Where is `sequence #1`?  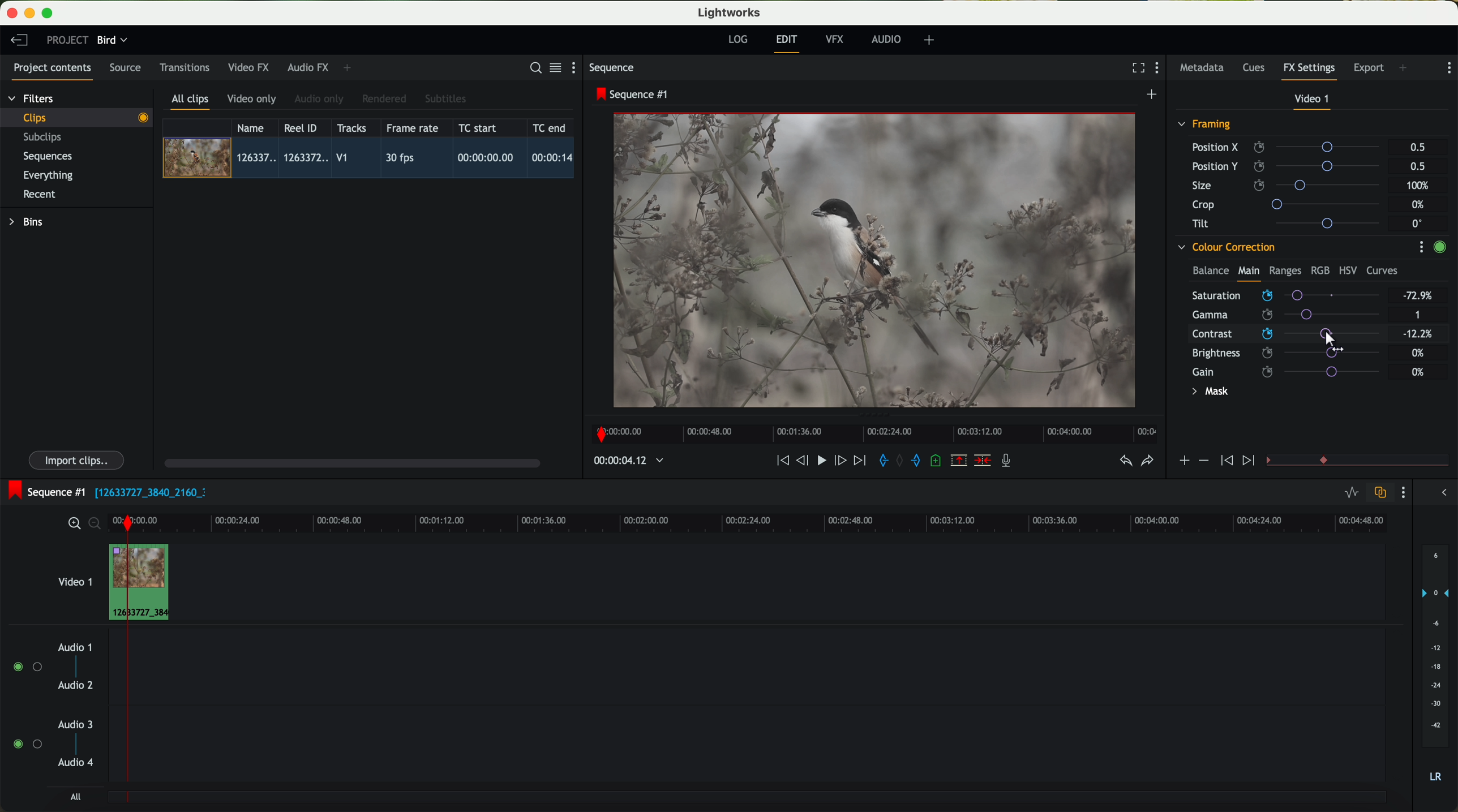
sequence #1 is located at coordinates (44, 492).